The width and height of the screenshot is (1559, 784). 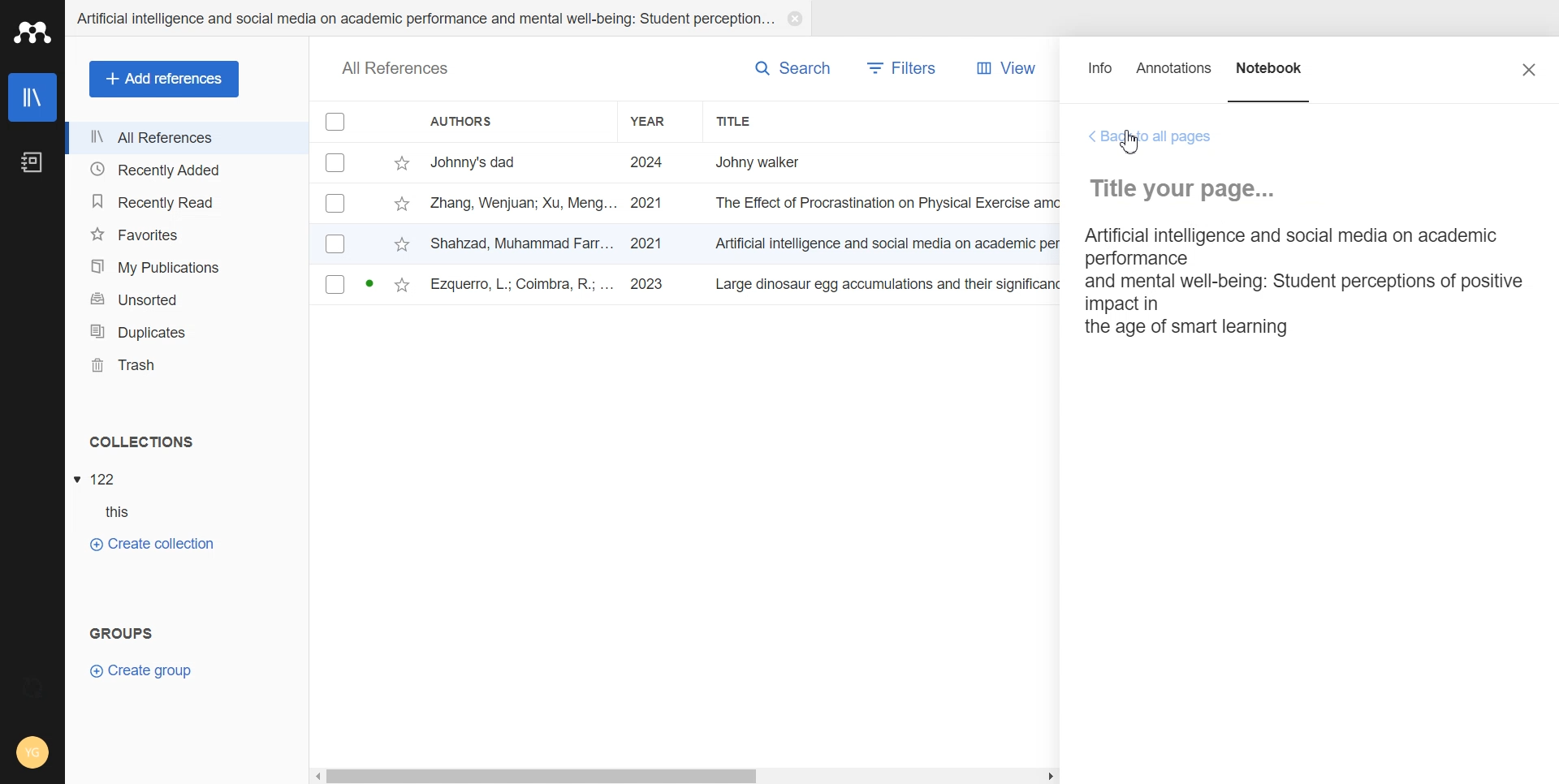 I want to click on Info, so click(x=1101, y=75).